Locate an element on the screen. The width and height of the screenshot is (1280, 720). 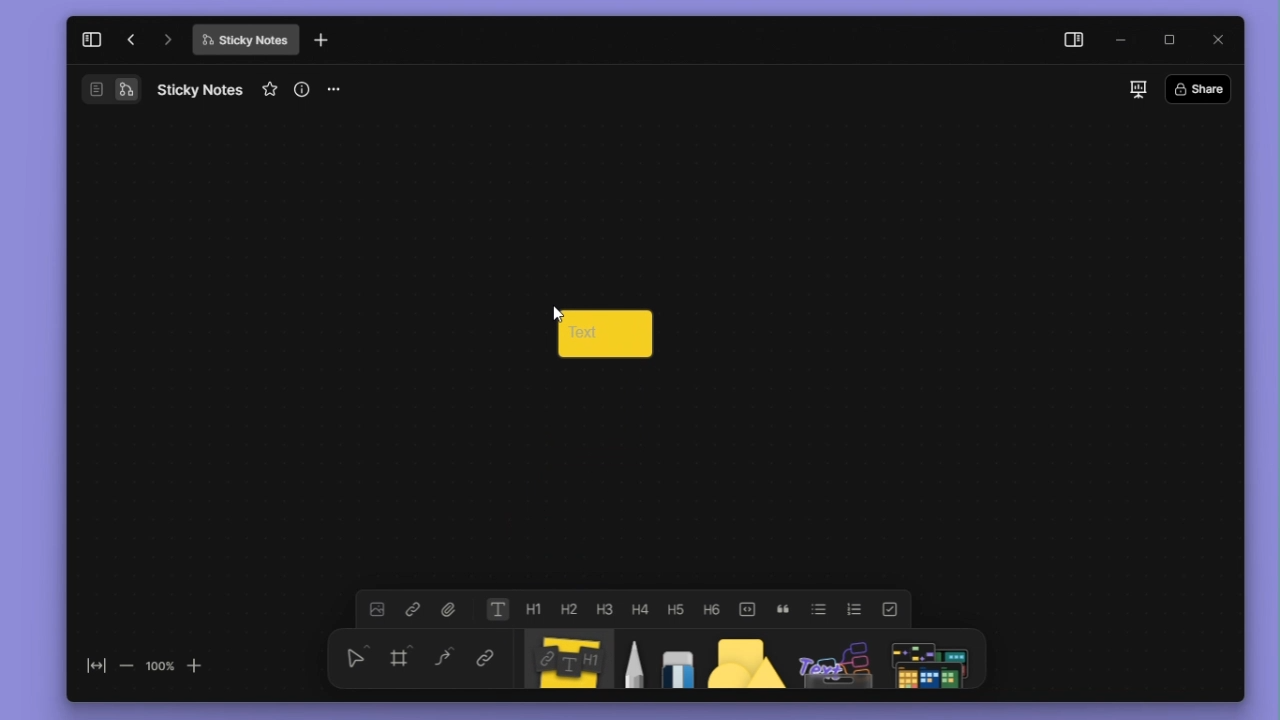
heading is located at coordinates (537, 608).